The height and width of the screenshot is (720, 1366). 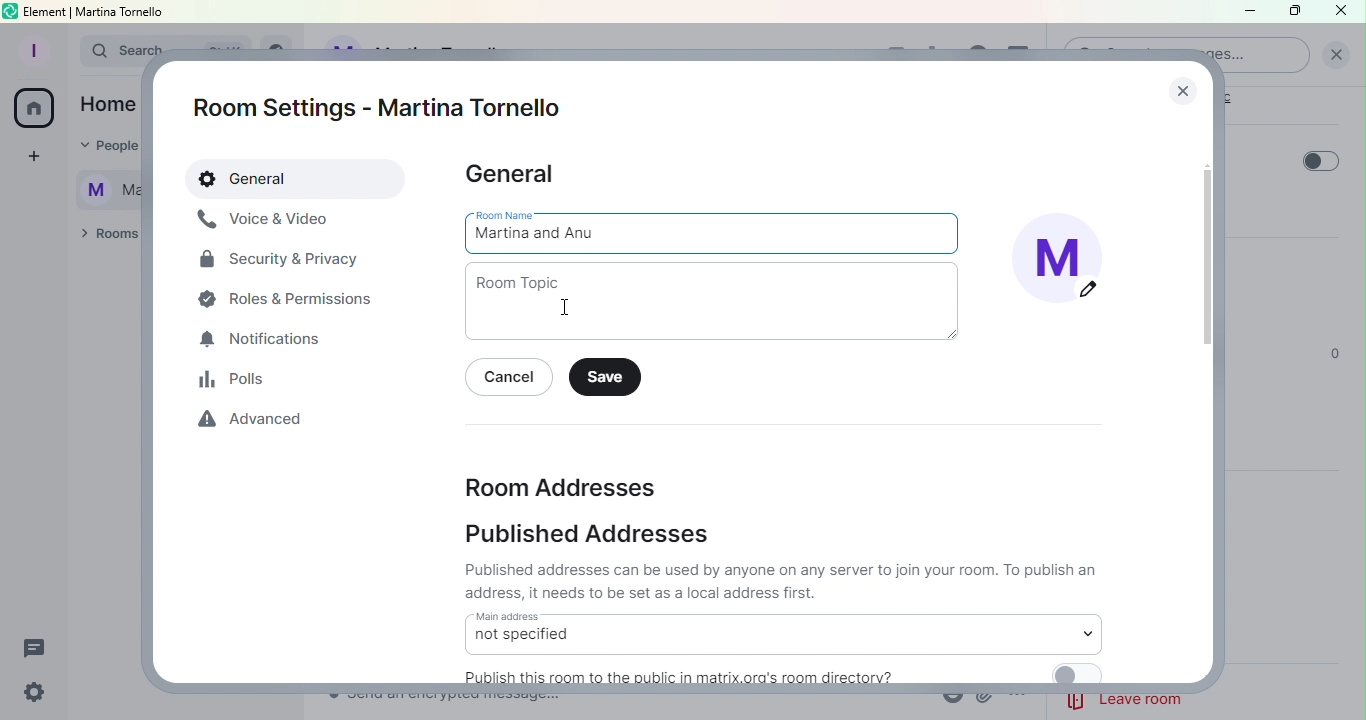 I want to click on General, so click(x=513, y=175).